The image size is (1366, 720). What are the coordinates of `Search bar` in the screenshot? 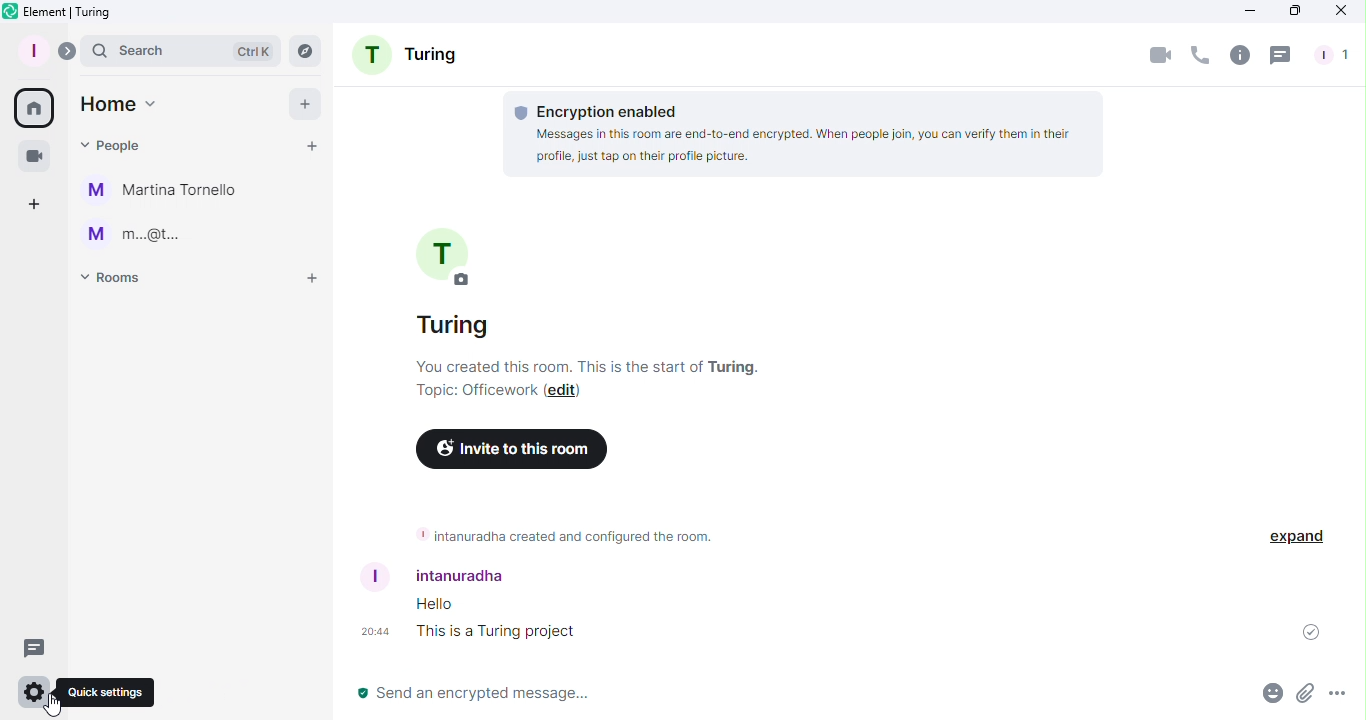 It's located at (179, 49).